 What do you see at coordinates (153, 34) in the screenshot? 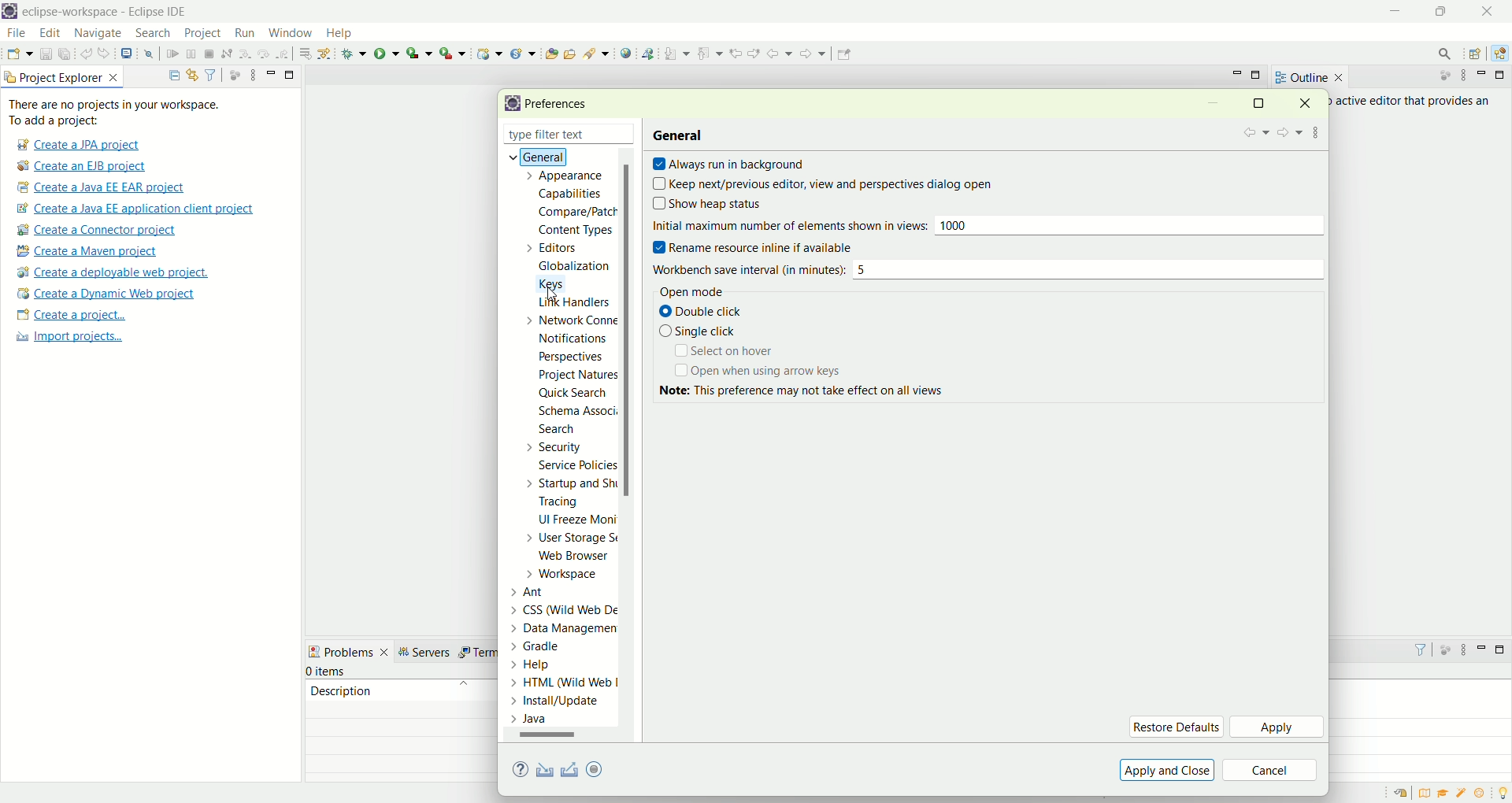
I see `search` at bounding box center [153, 34].